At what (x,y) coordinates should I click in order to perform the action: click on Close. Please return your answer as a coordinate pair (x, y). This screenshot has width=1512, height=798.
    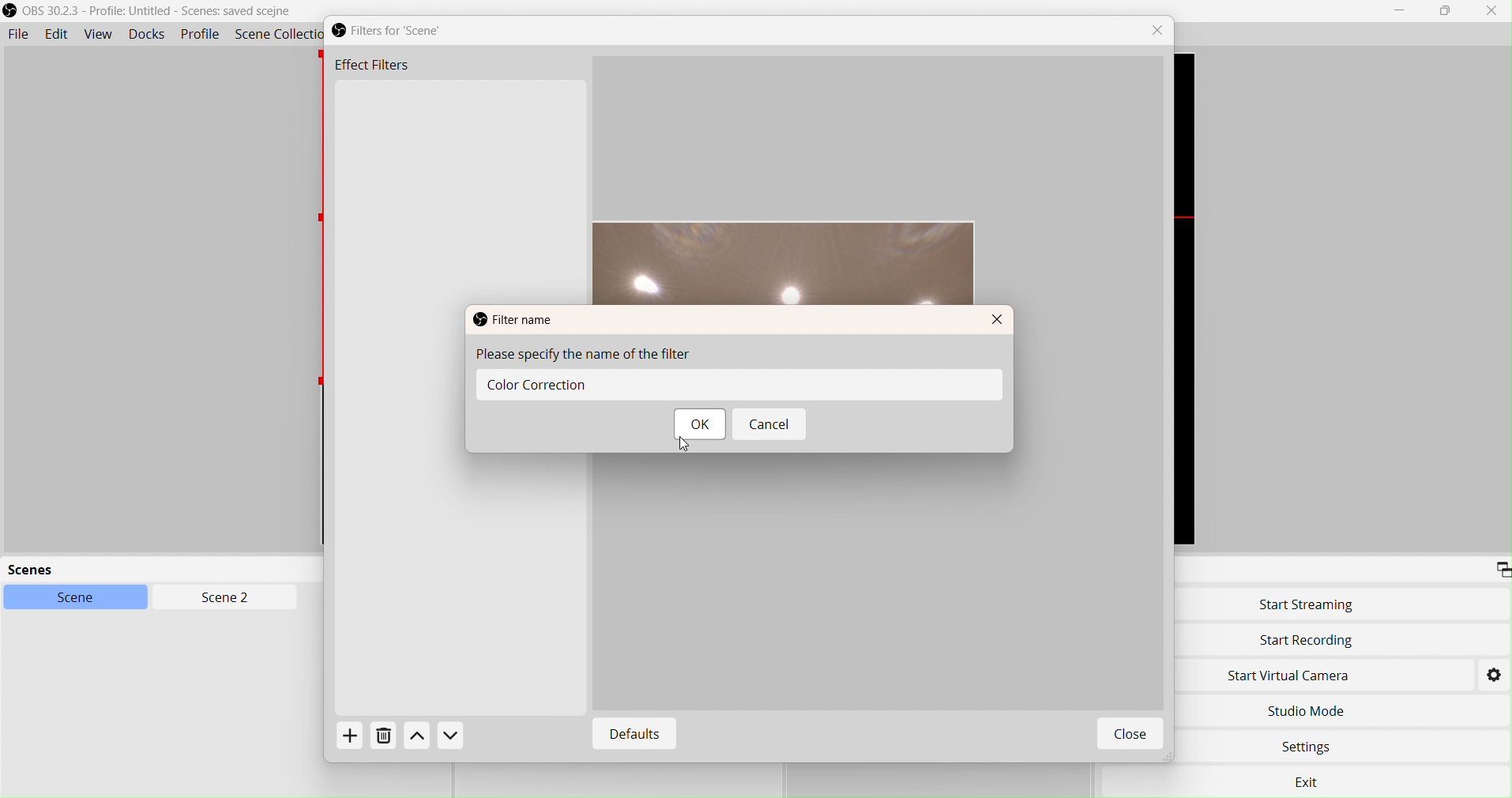
    Looking at the image, I should click on (1000, 323).